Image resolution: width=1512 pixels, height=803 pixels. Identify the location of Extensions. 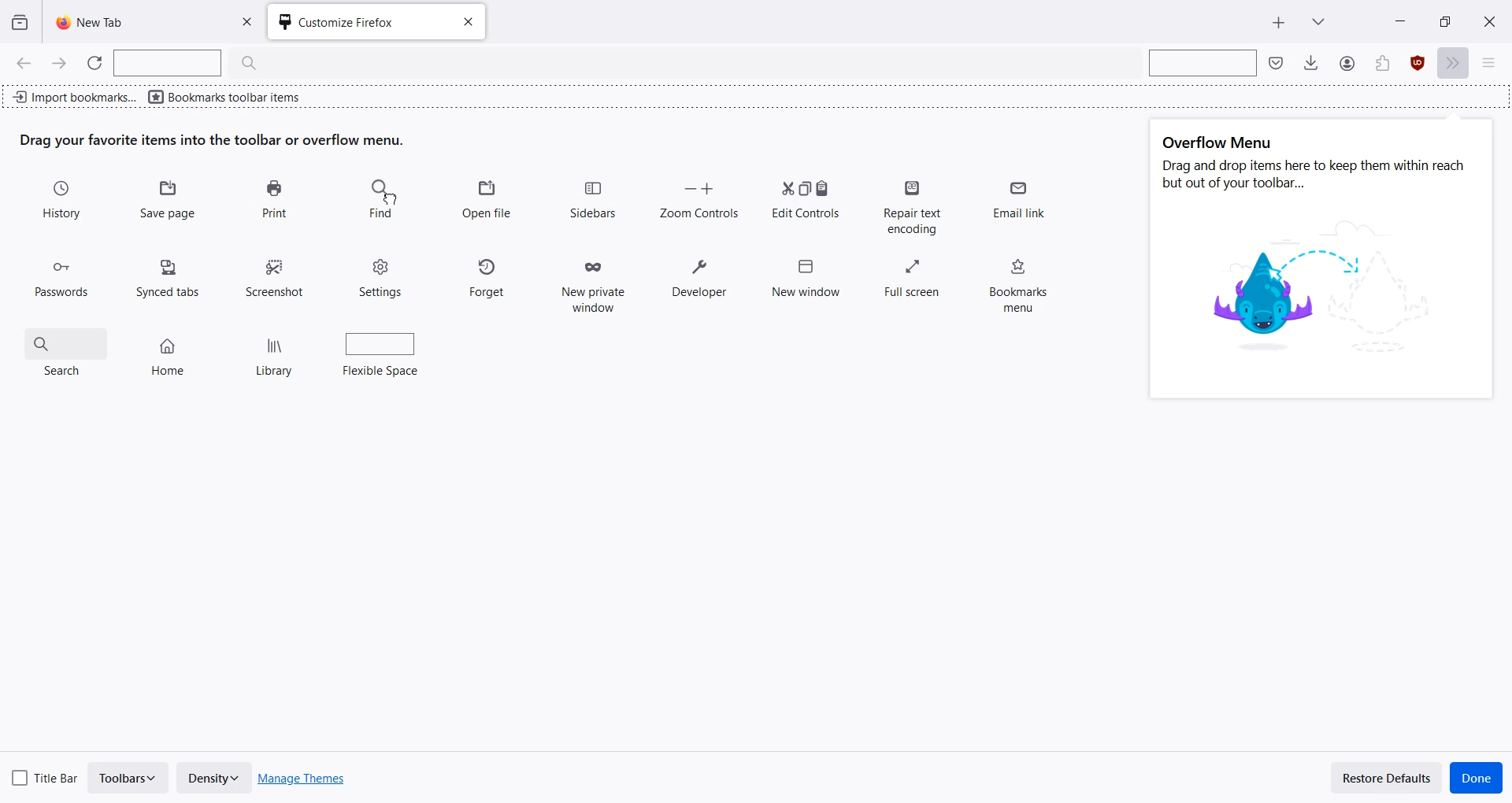
(1418, 64).